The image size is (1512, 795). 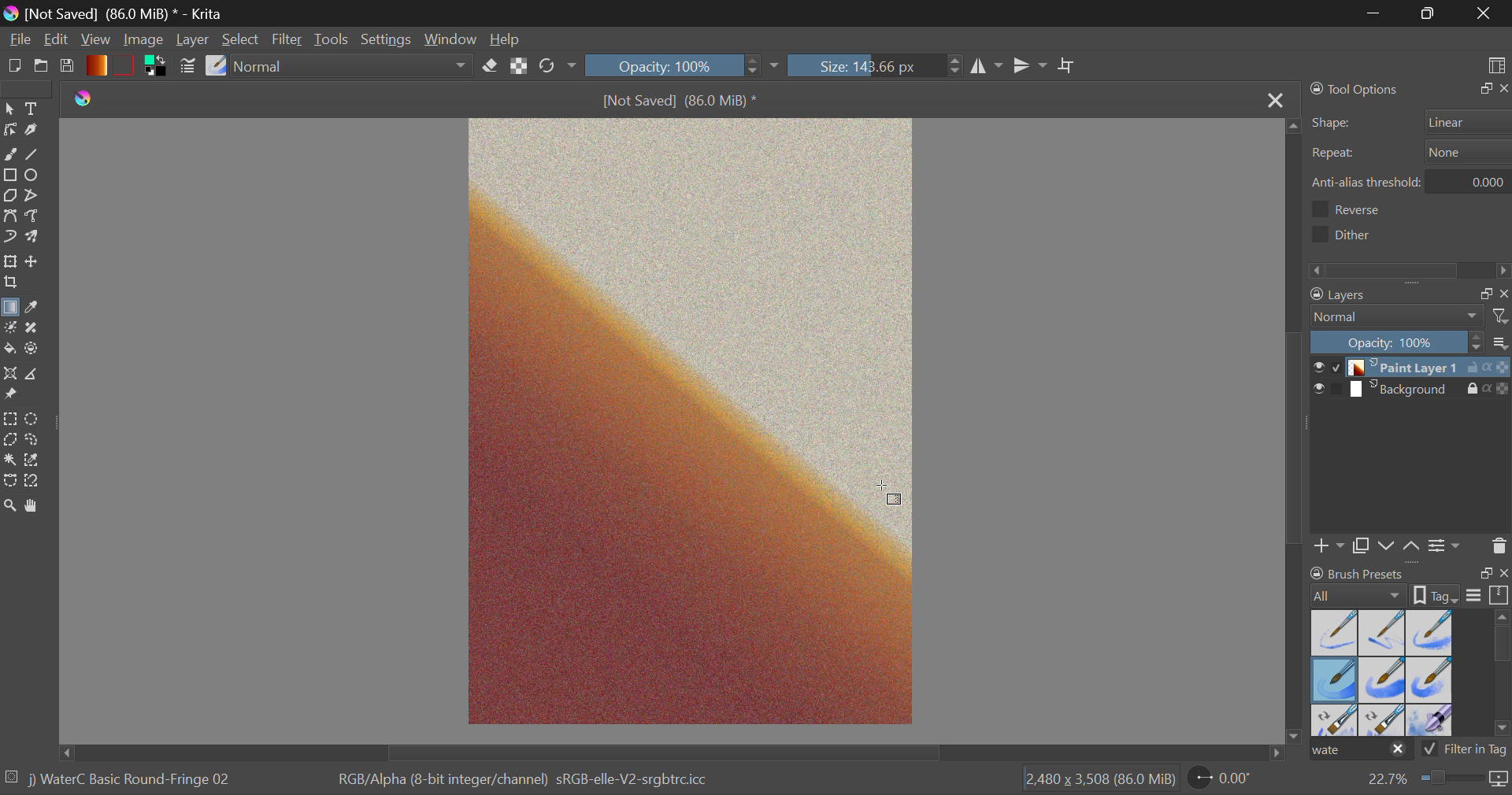 I want to click on move down, so click(x=1296, y=729).